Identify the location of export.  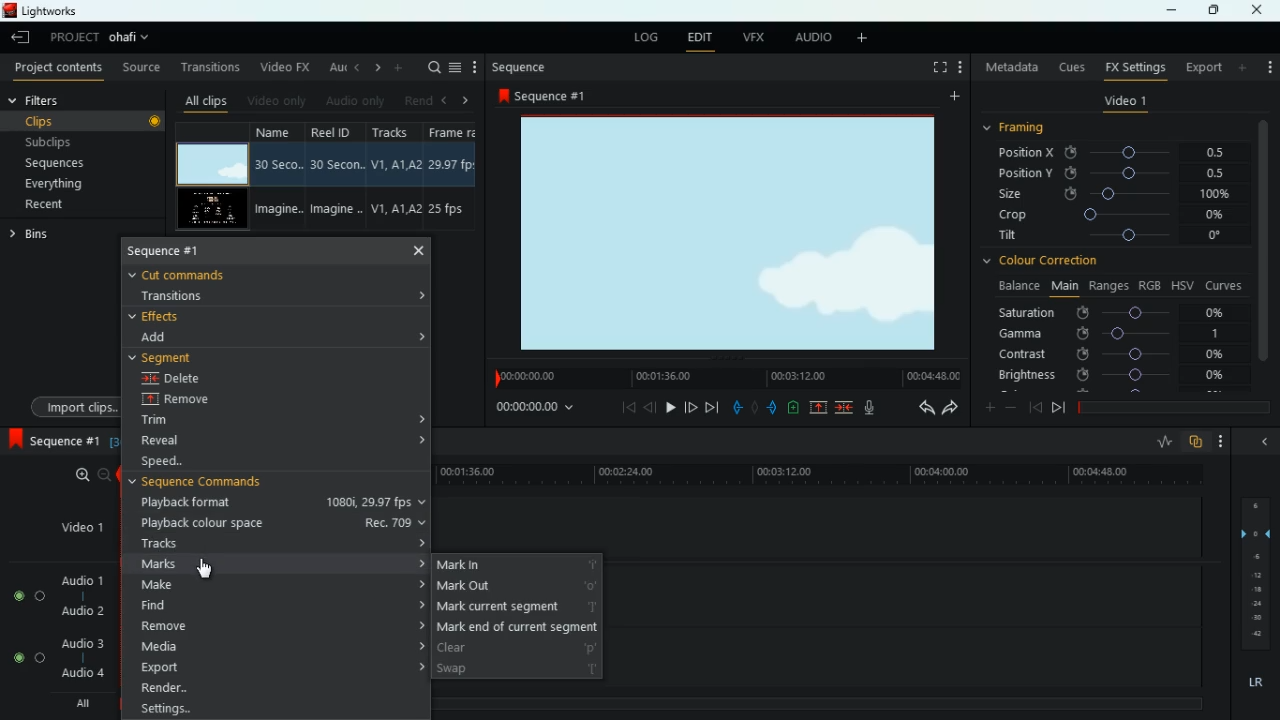
(282, 667).